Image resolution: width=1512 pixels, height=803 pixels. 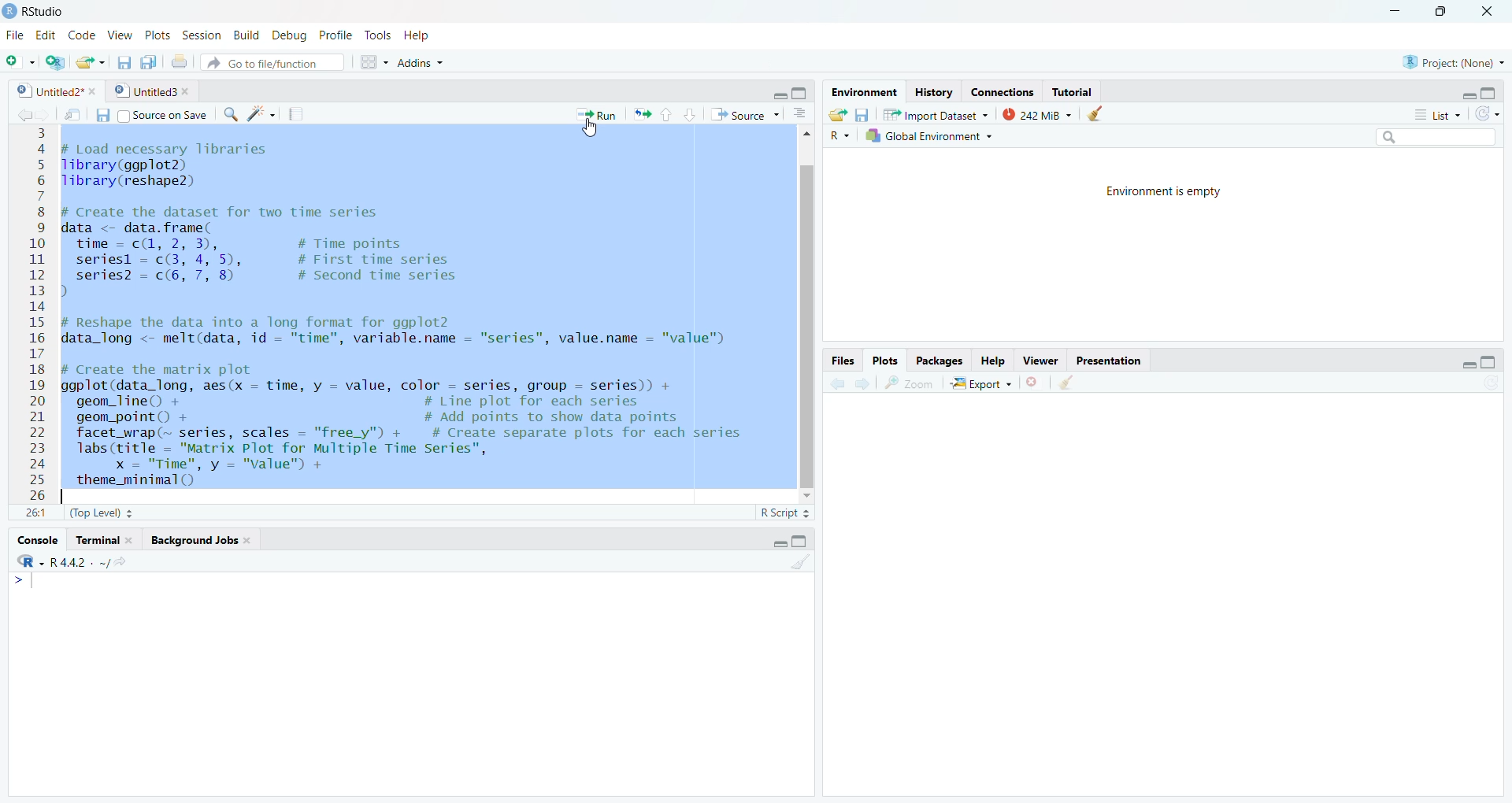 What do you see at coordinates (49, 12) in the screenshot?
I see `RStudio` at bounding box center [49, 12].